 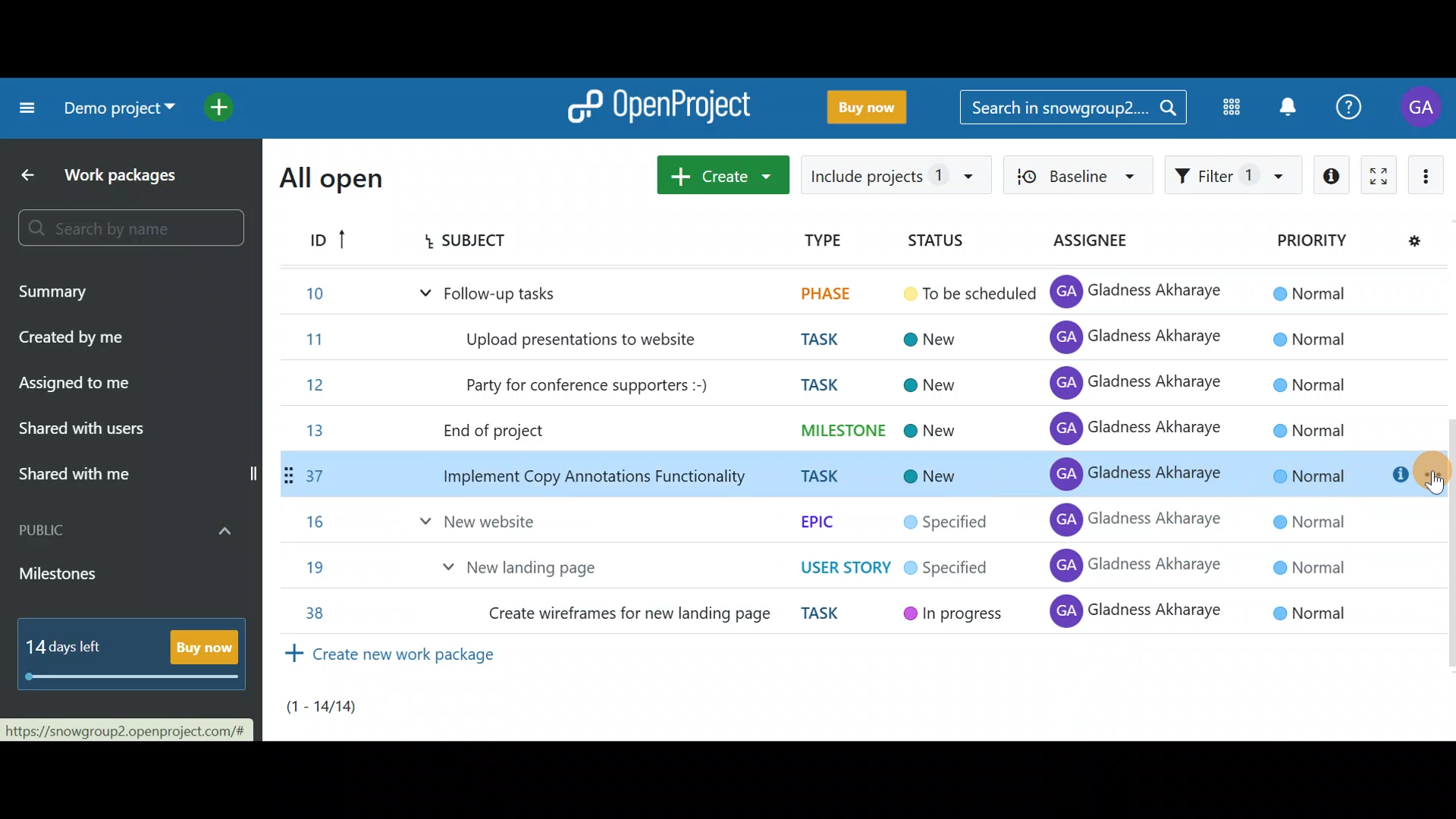 I want to click on More actions, so click(x=1433, y=175).